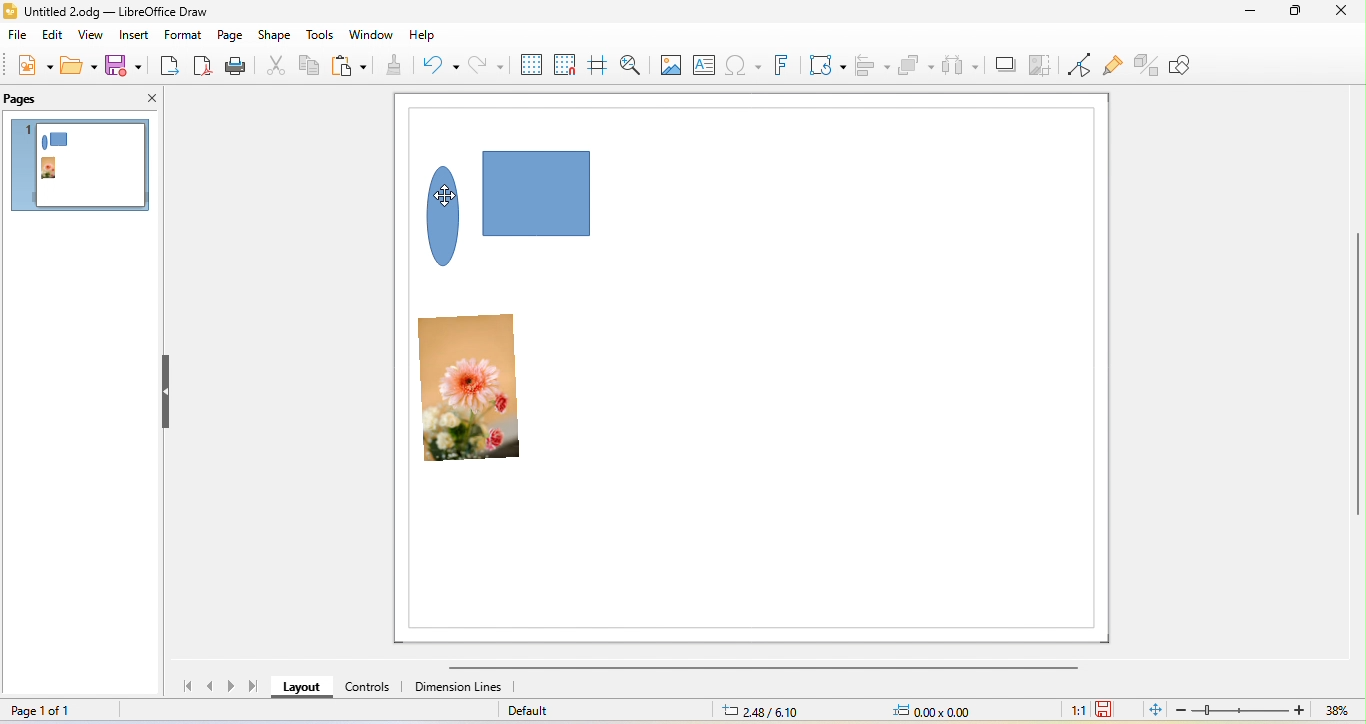  I want to click on edit, so click(55, 37).